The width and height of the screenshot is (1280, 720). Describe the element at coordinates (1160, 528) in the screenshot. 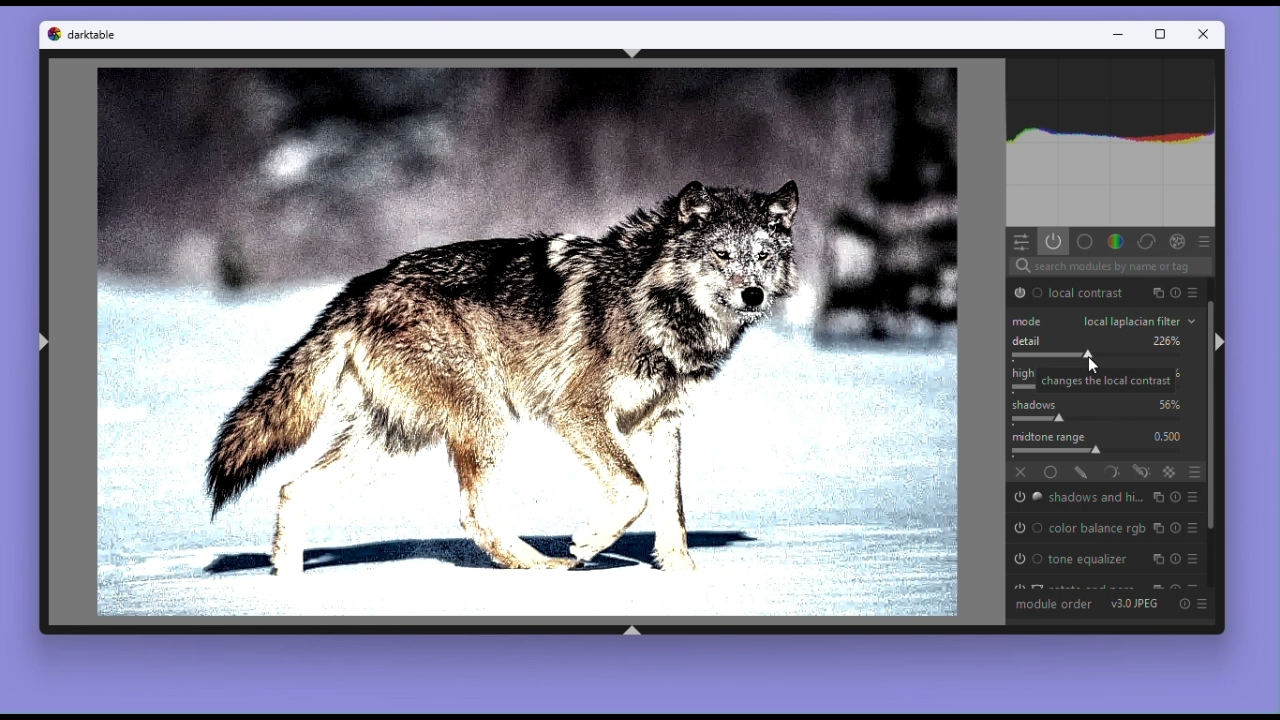

I see `Multiple instance` at that location.